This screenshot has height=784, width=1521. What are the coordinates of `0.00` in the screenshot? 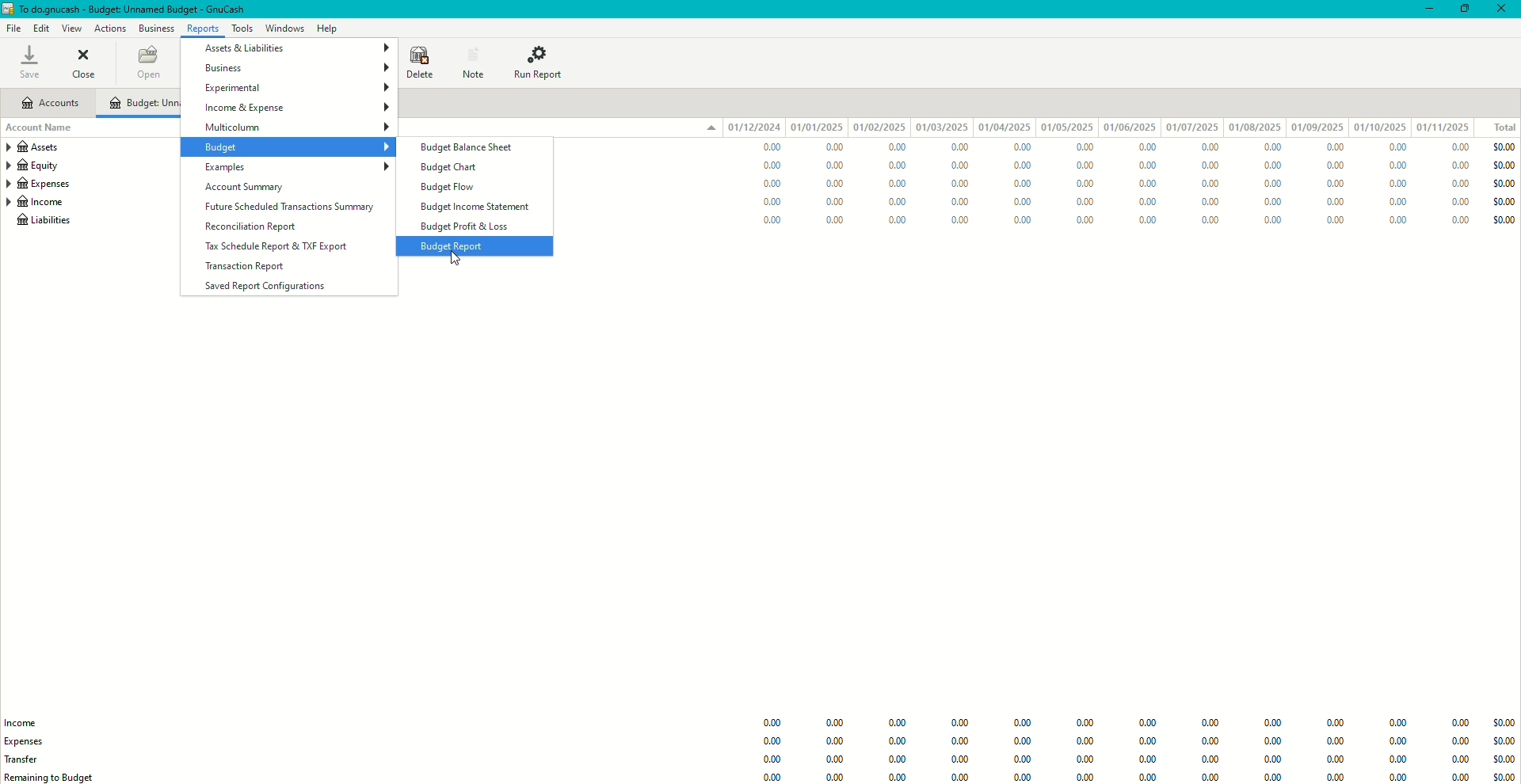 It's located at (1271, 725).